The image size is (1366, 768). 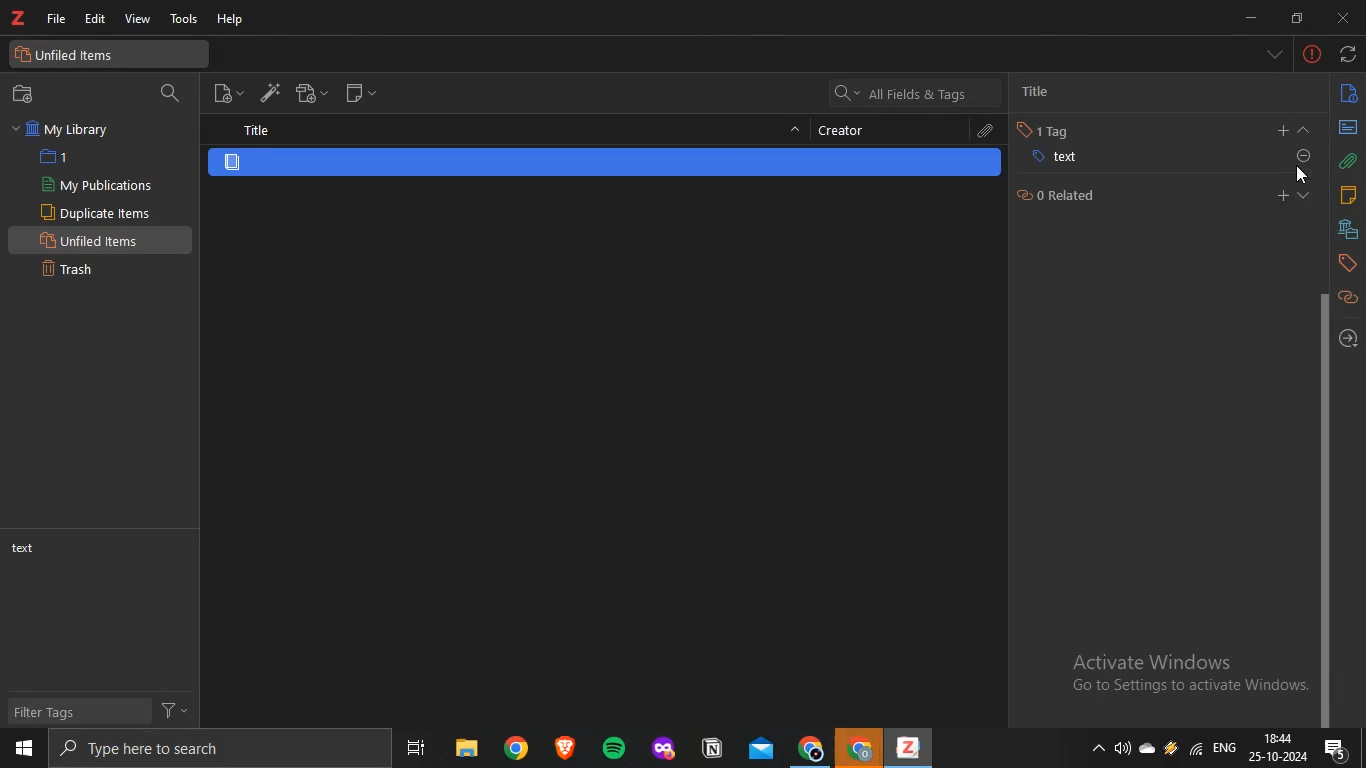 I want to click on chrome, so click(x=854, y=746).